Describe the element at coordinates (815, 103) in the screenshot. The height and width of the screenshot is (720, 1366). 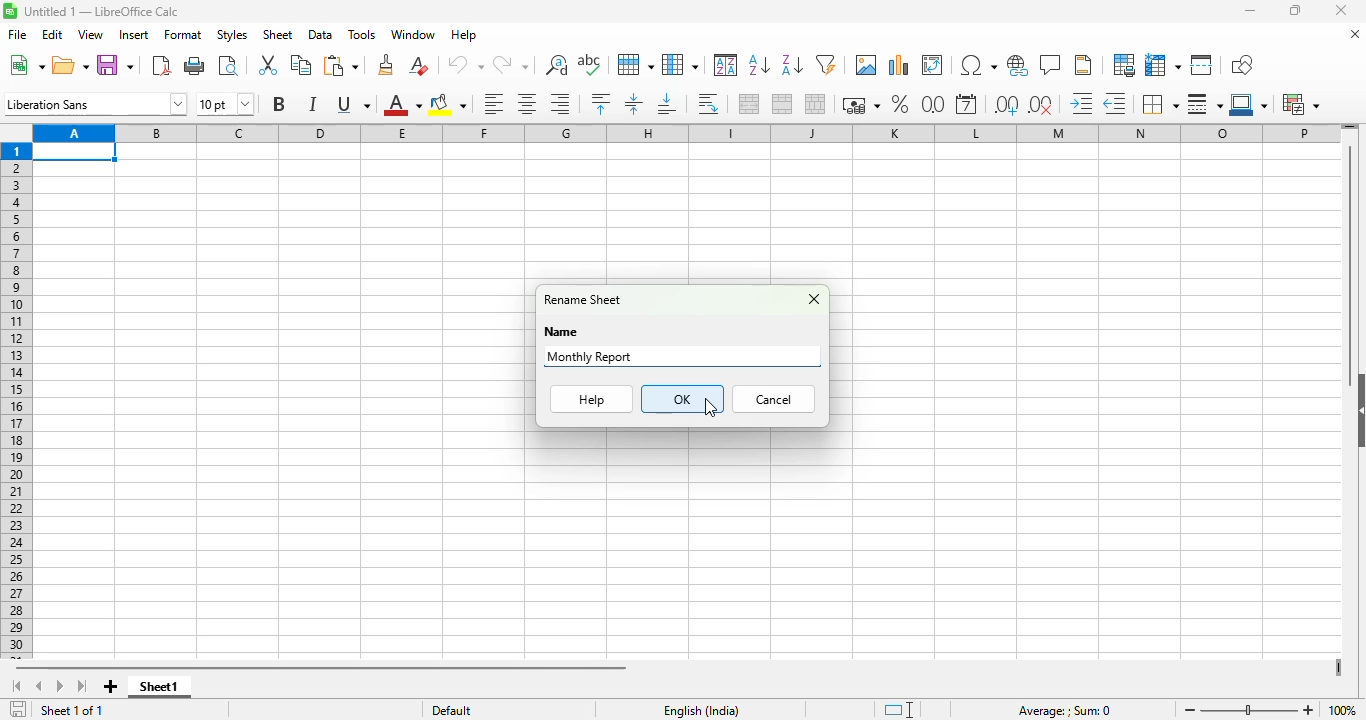
I see `unmerge cells` at that location.